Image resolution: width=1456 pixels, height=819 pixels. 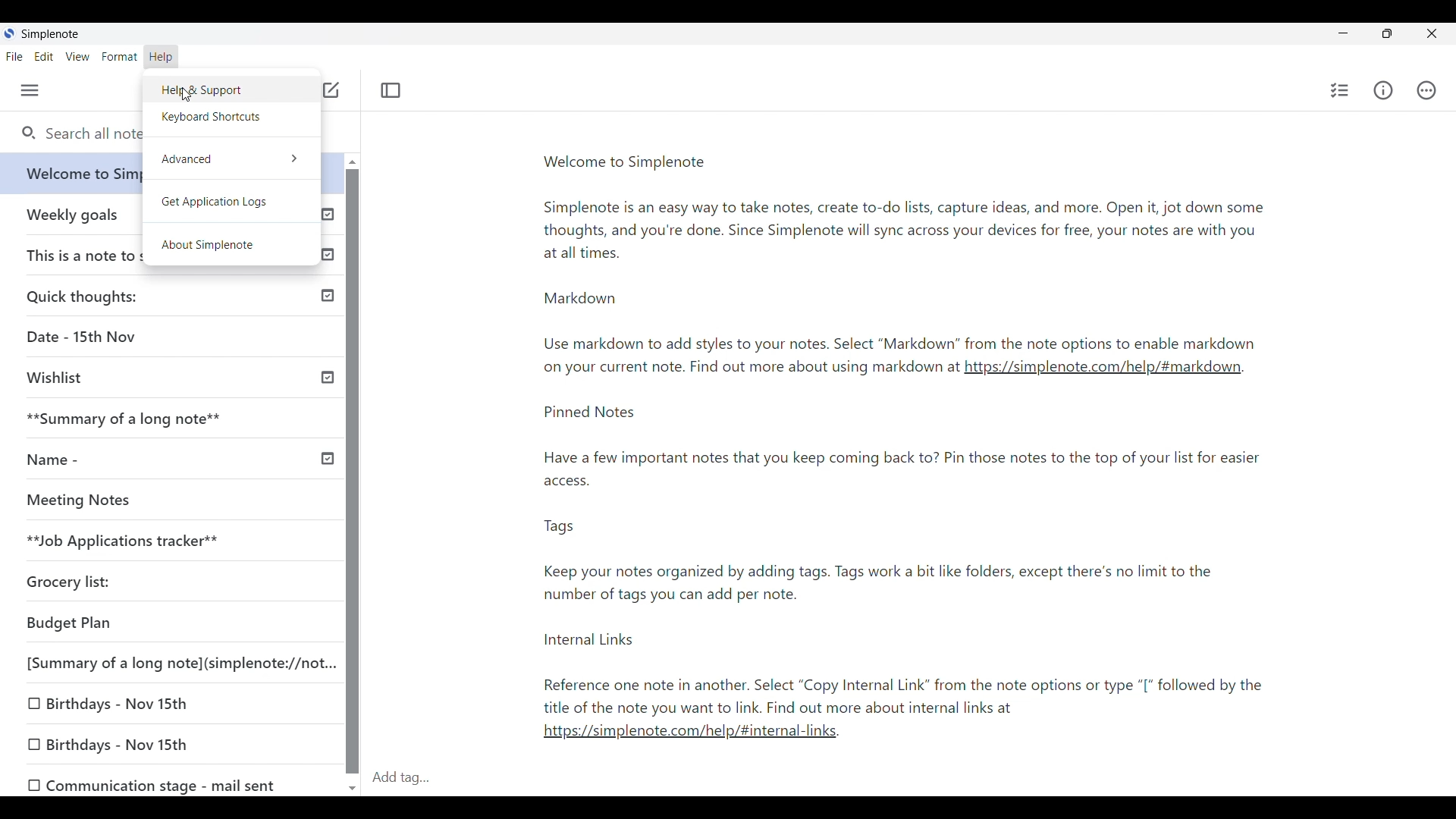 What do you see at coordinates (1340, 90) in the screenshot?
I see `Insert checklist` at bounding box center [1340, 90].